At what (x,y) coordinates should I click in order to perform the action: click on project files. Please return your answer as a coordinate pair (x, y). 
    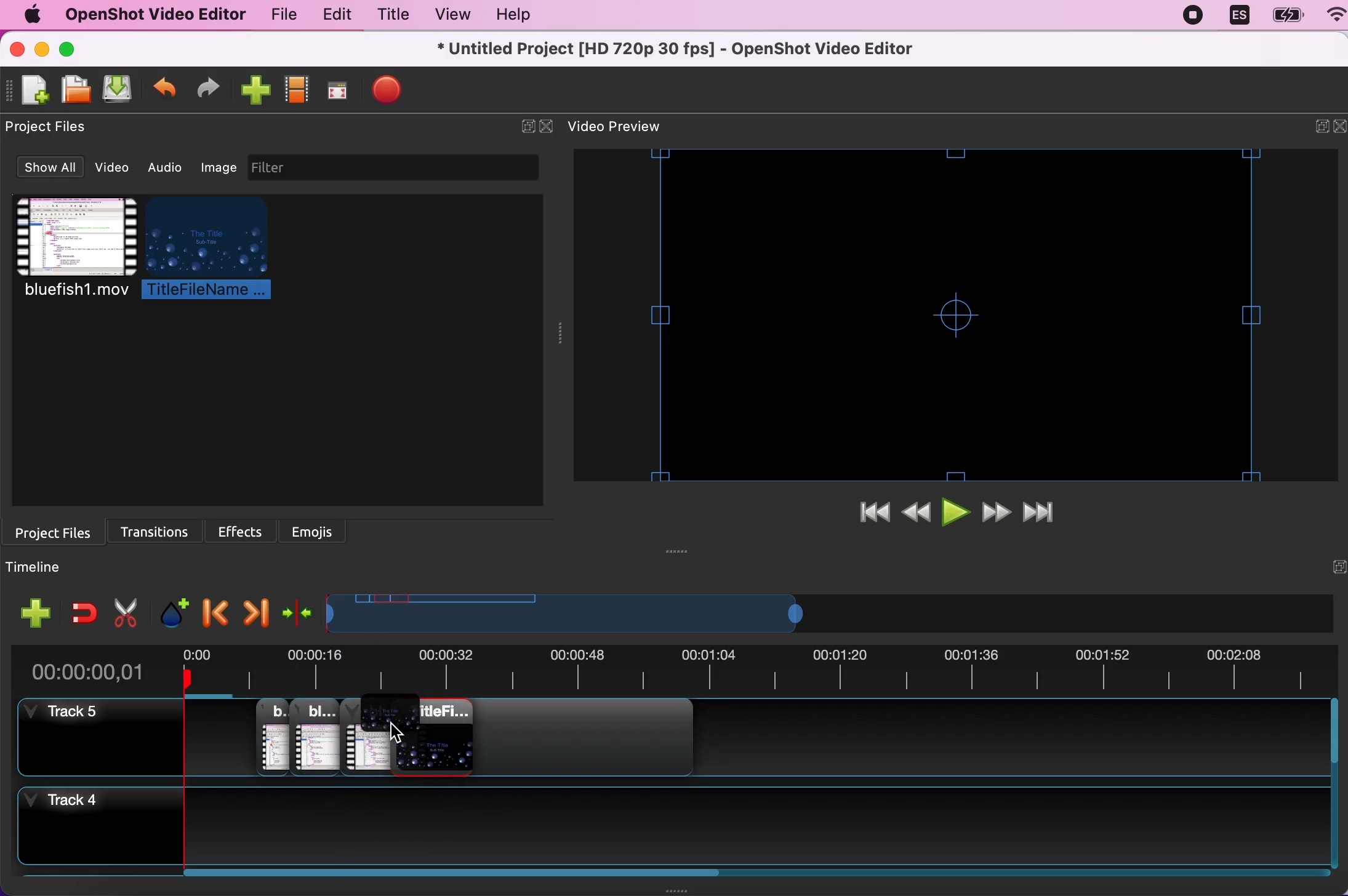
    Looking at the image, I should click on (58, 531).